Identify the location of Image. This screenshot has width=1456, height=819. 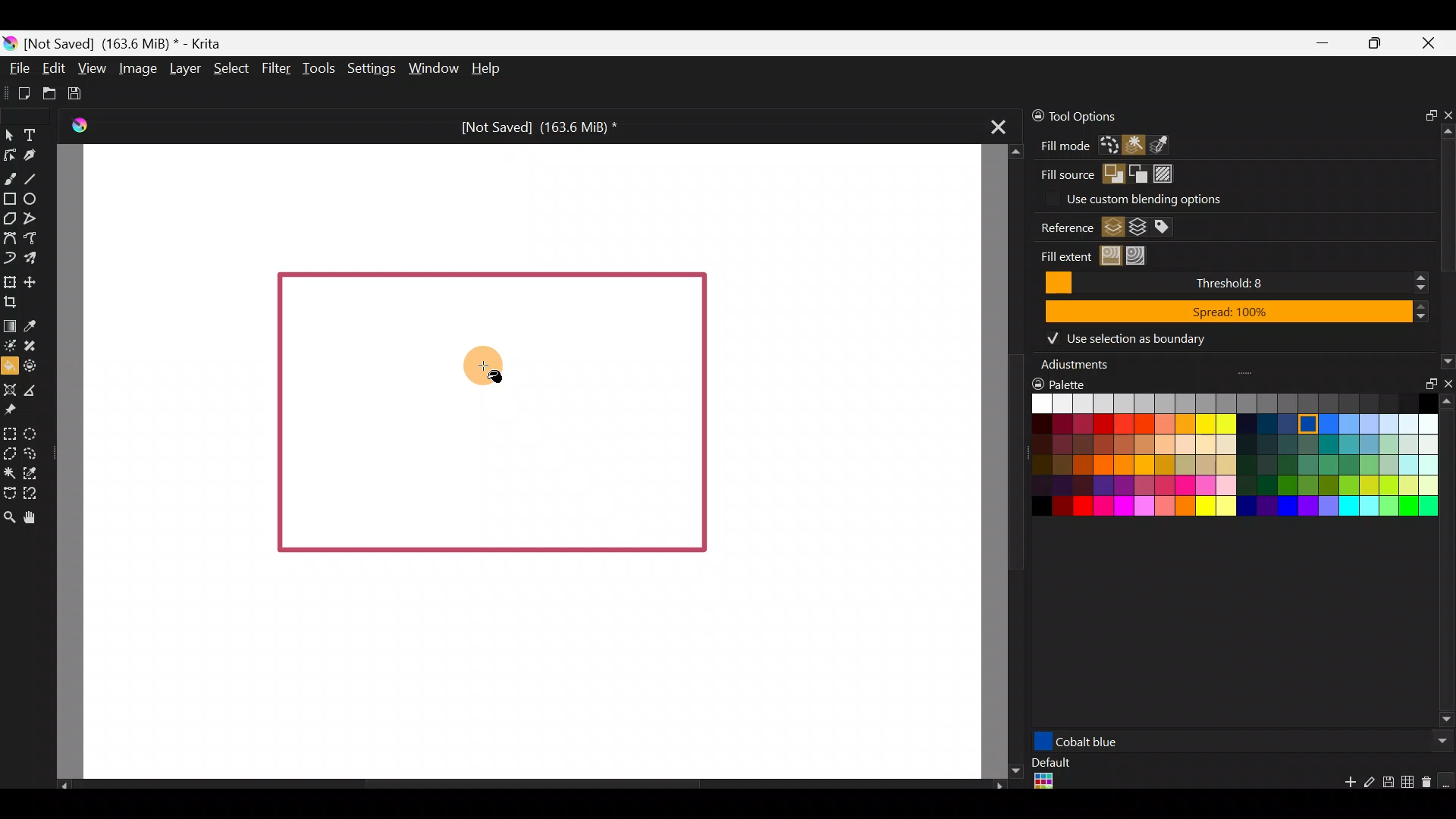
(138, 70).